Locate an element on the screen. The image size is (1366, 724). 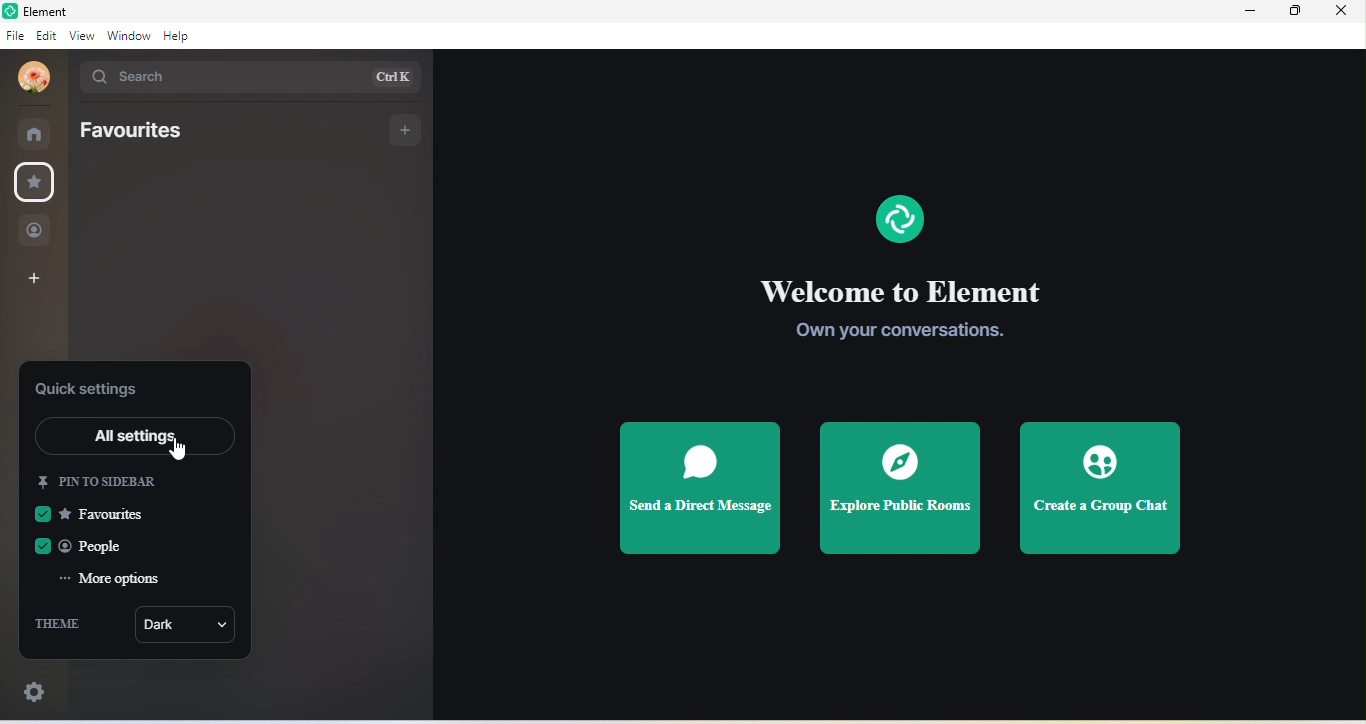
create a space is located at coordinates (35, 280).